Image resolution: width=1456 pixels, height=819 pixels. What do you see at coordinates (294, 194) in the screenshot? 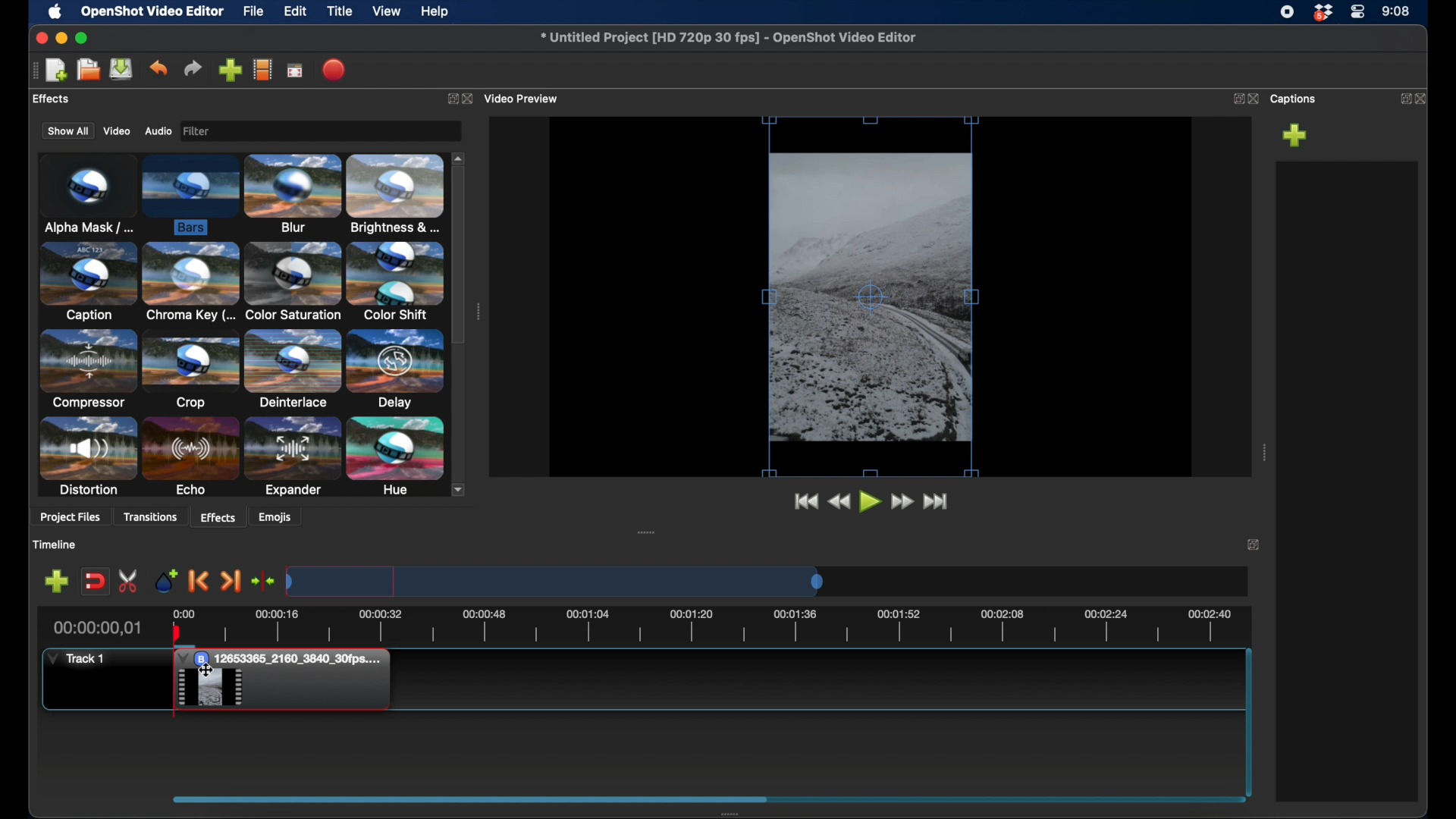
I see `blur` at bounding box center [294, 194].